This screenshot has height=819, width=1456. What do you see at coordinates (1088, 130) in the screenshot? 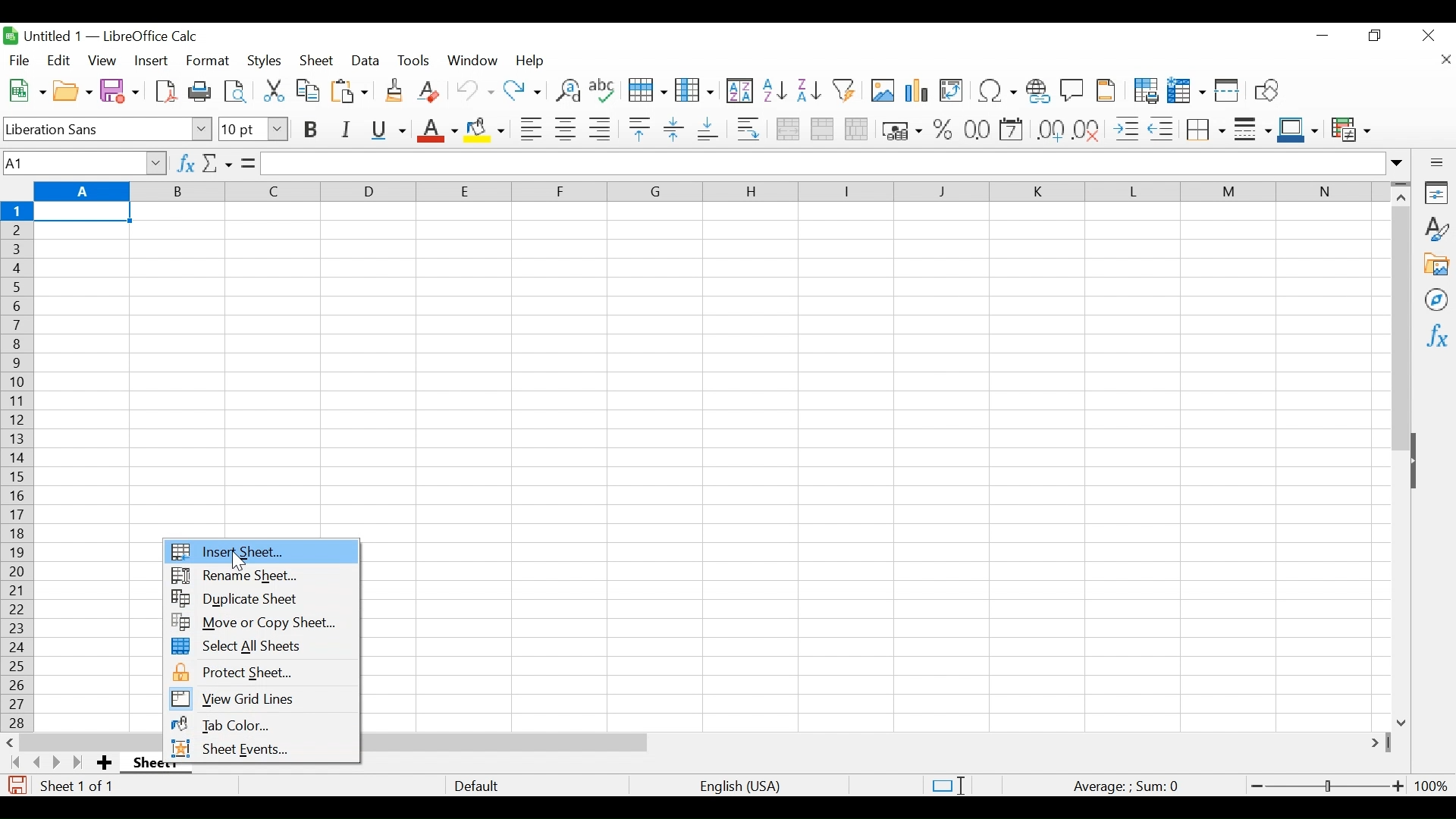
I see `Delete Decimal` at bounding box center [1088, 130].